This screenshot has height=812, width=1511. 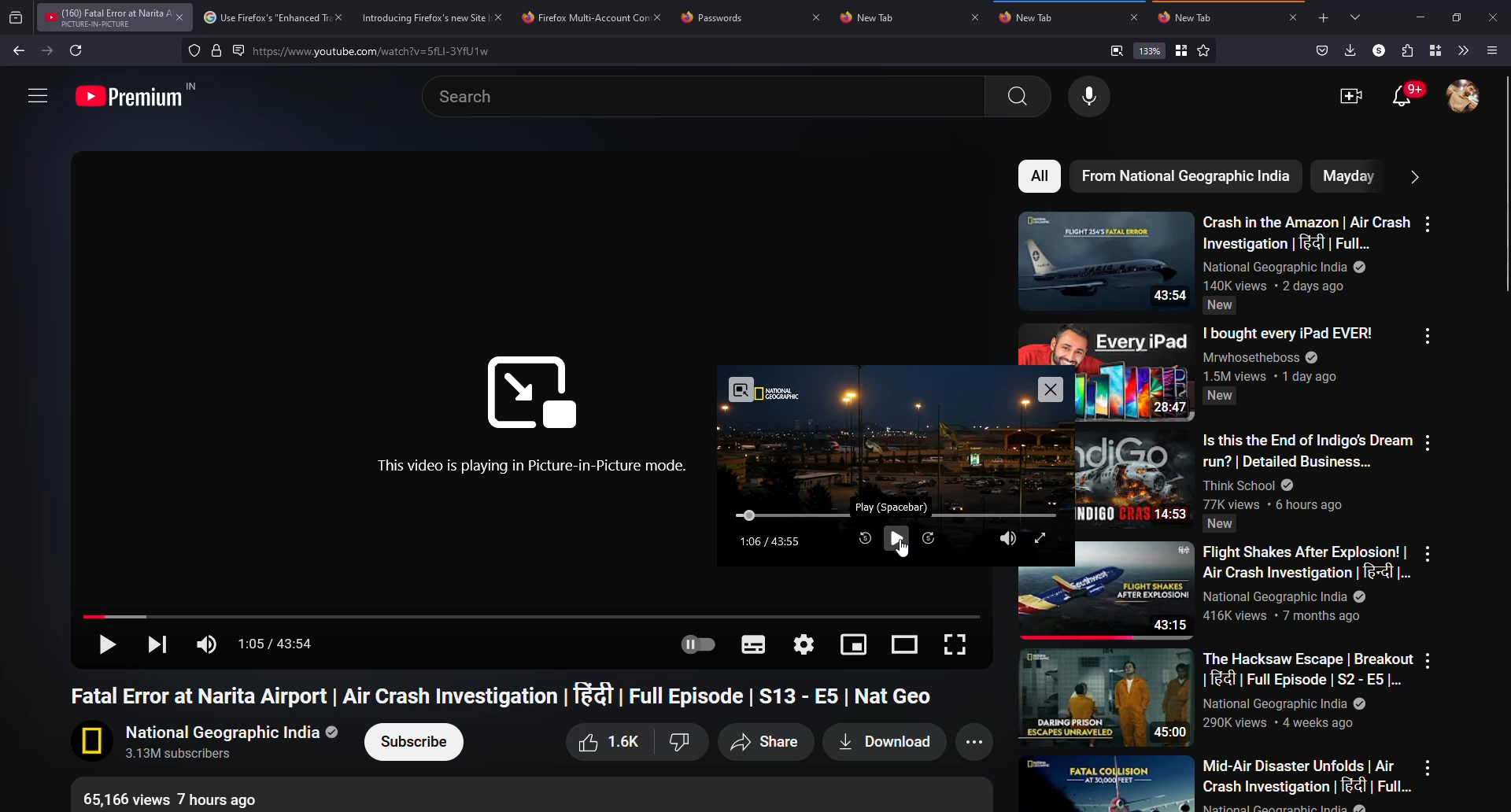 What do you see at coordinates (1322, 19) in the screenshot?
I see `add` at bounding box center [1322, 19].